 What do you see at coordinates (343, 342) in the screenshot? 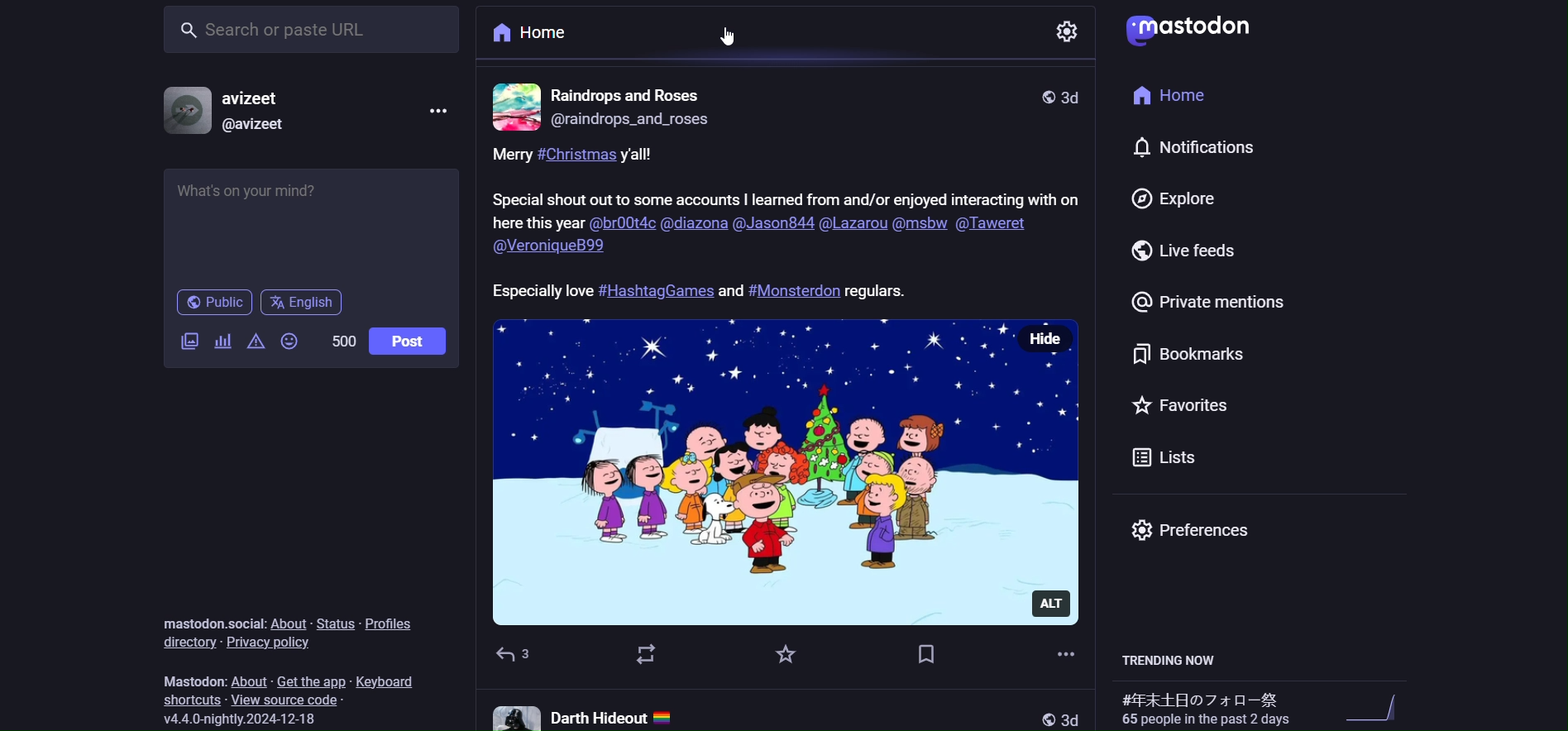
I see `word limit` at bounding box center [343, 342].